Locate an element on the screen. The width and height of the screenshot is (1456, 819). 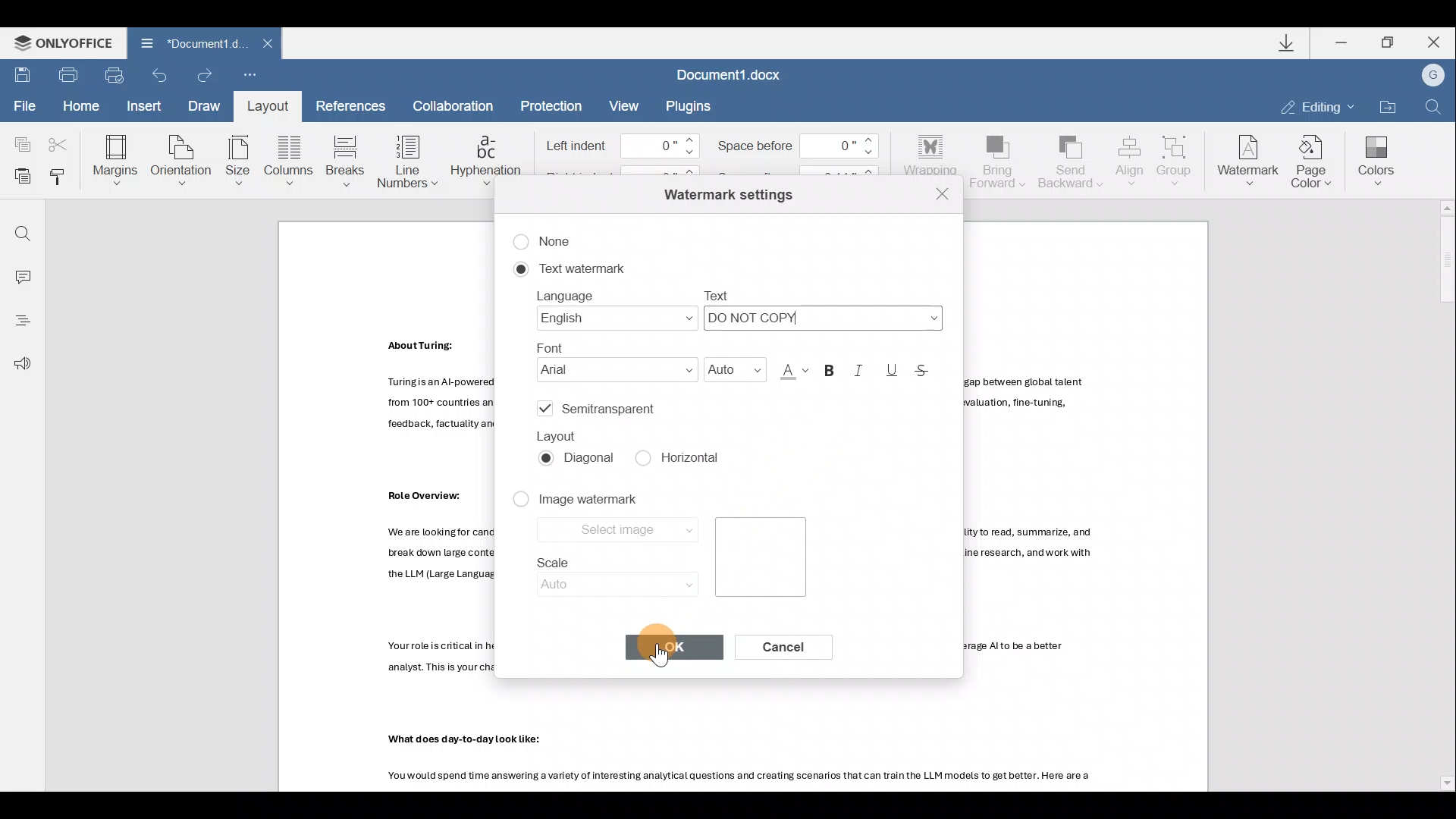
Image preview is located at coordinates (761, 560).